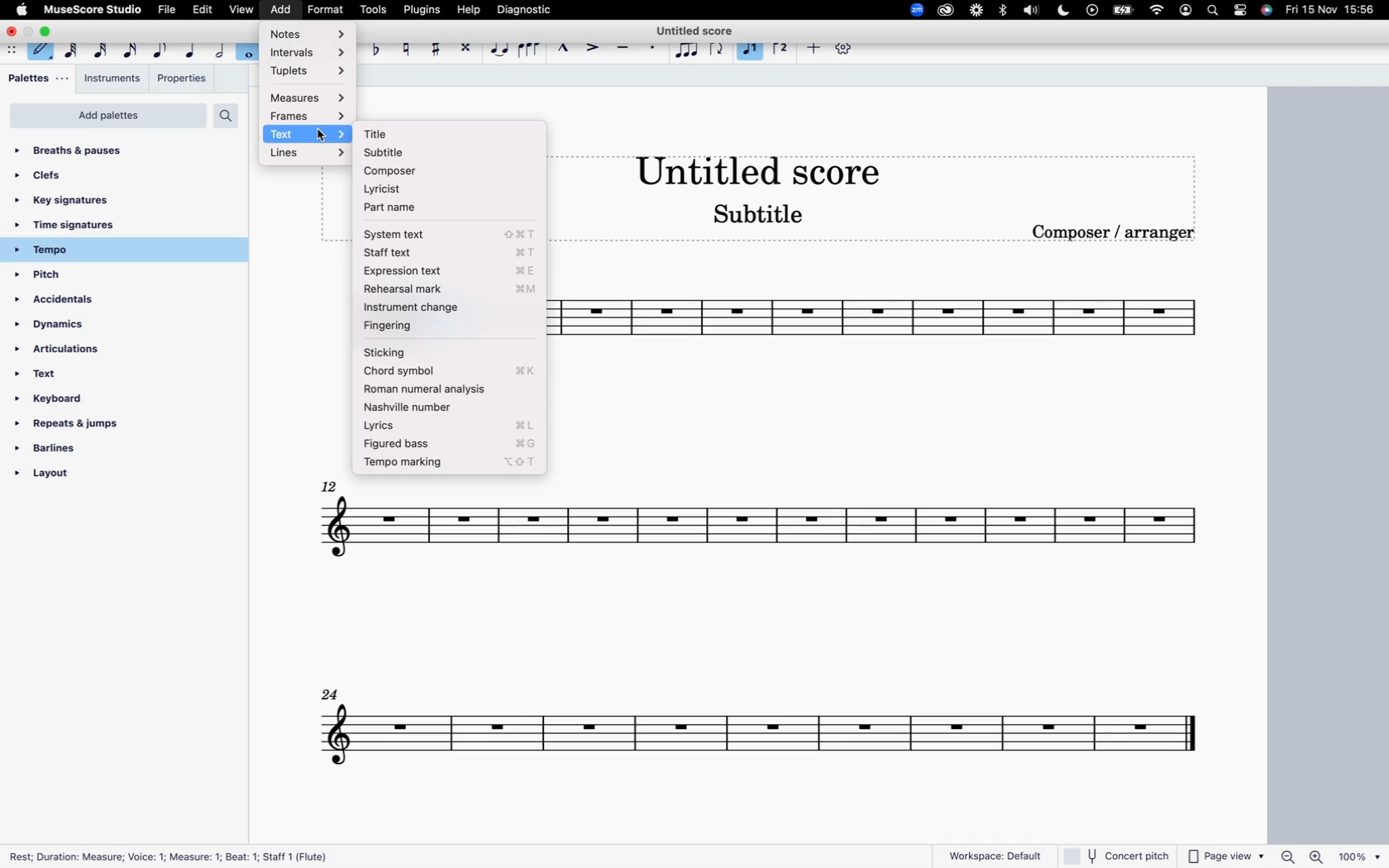 The width and height of the screenshot is (1389, 868). Describe the element at coordinates (1228, 855) in the screenshot. I see `page view` at that location.